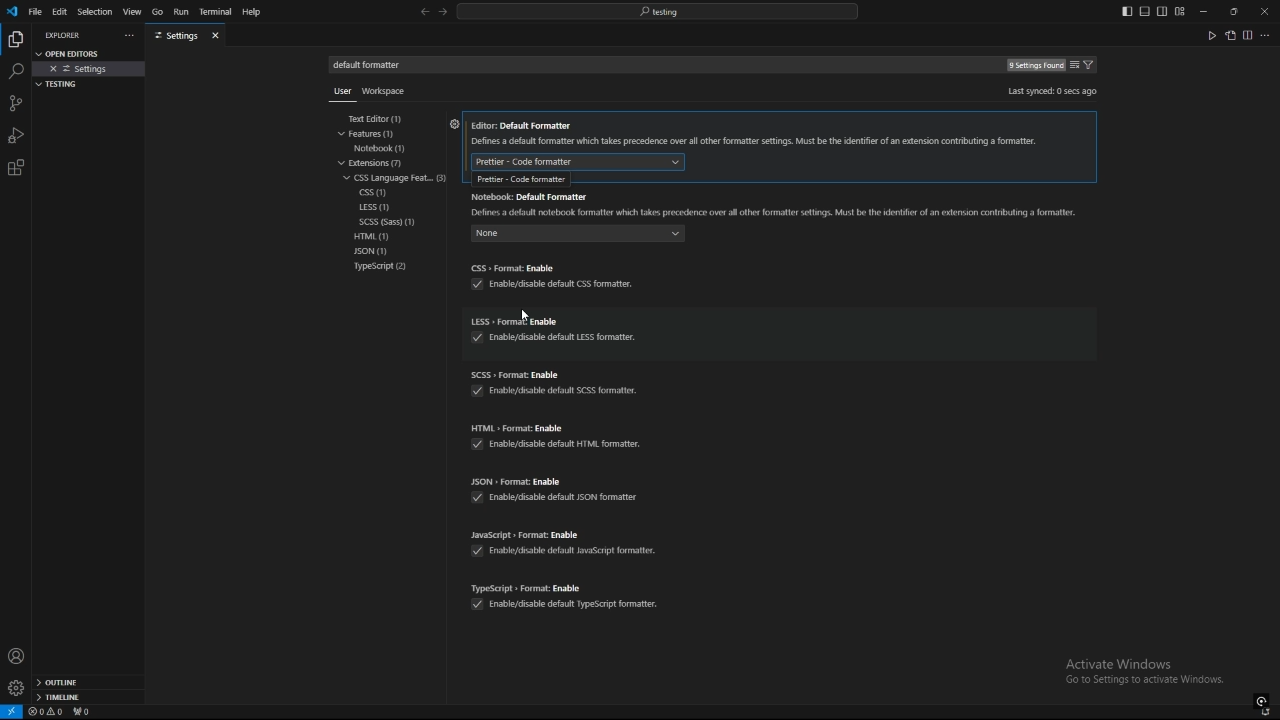 The image size is (1280, 720). I want to click on features, so click(378, 134).